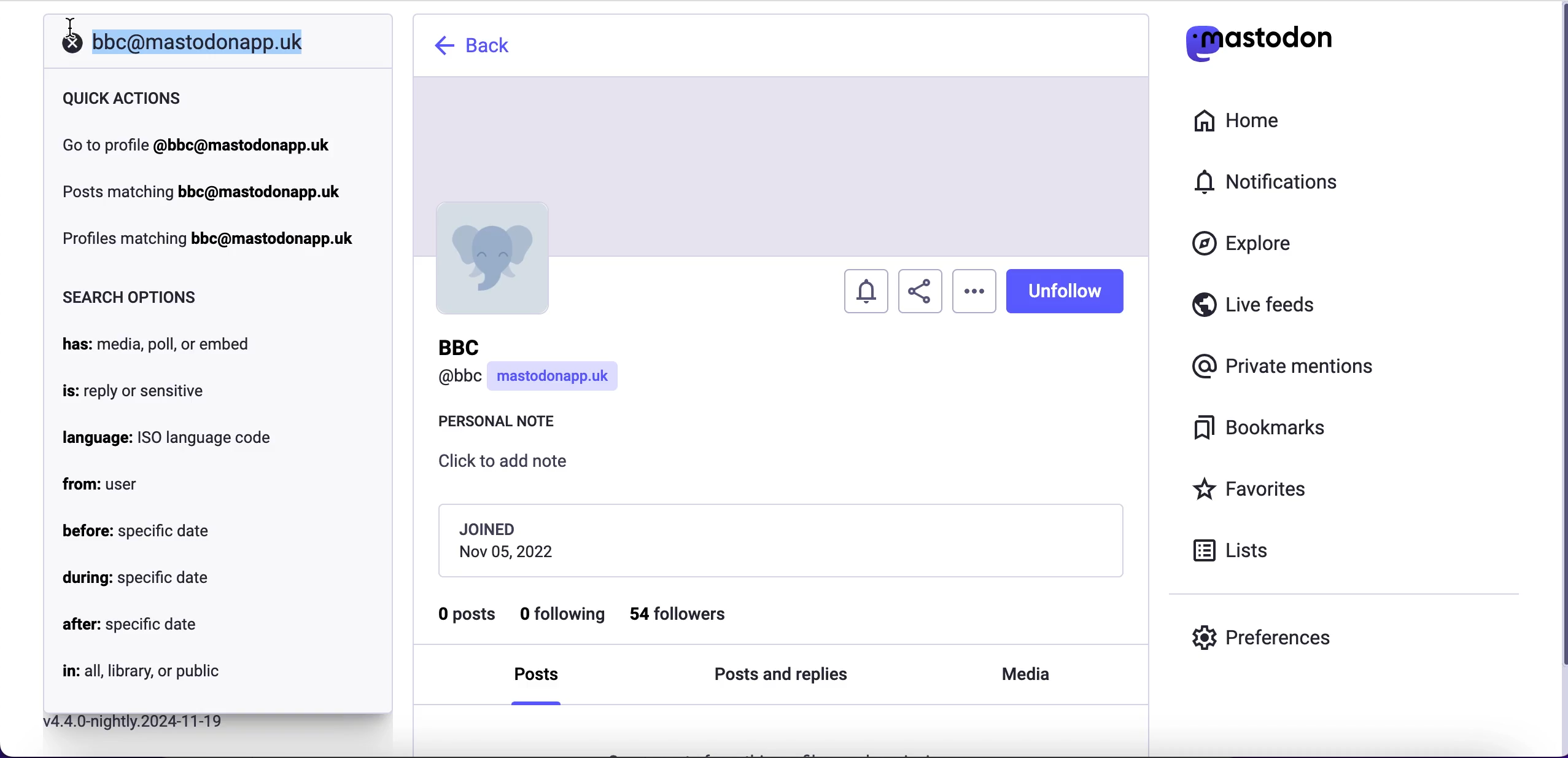 This screenshot has width=1568, height=758. Describe the element at coordinates (133, 297) in the screenshot. I see `search options` at that location.